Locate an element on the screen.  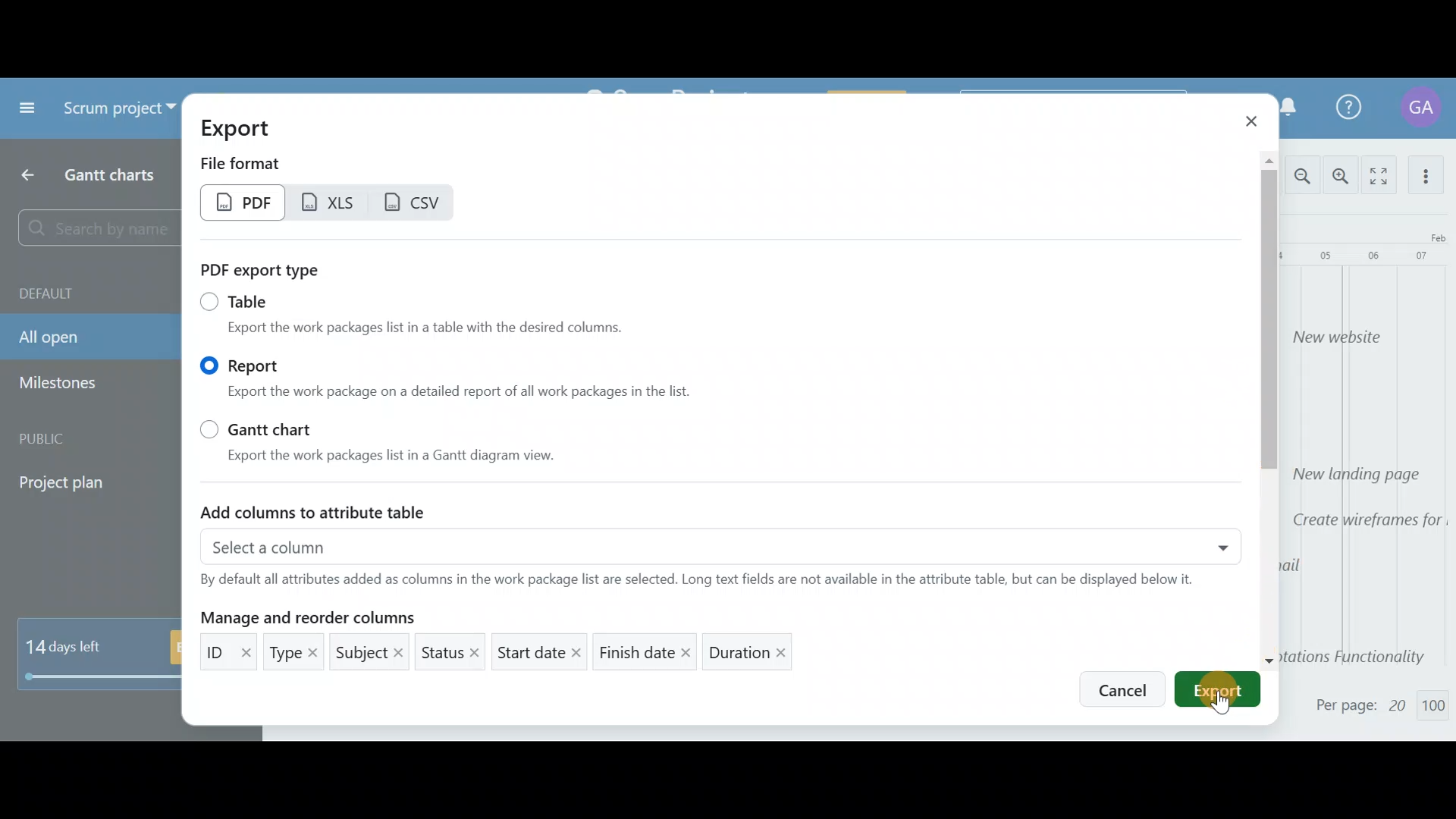
Cancel is located at coordinates (1125, 687).